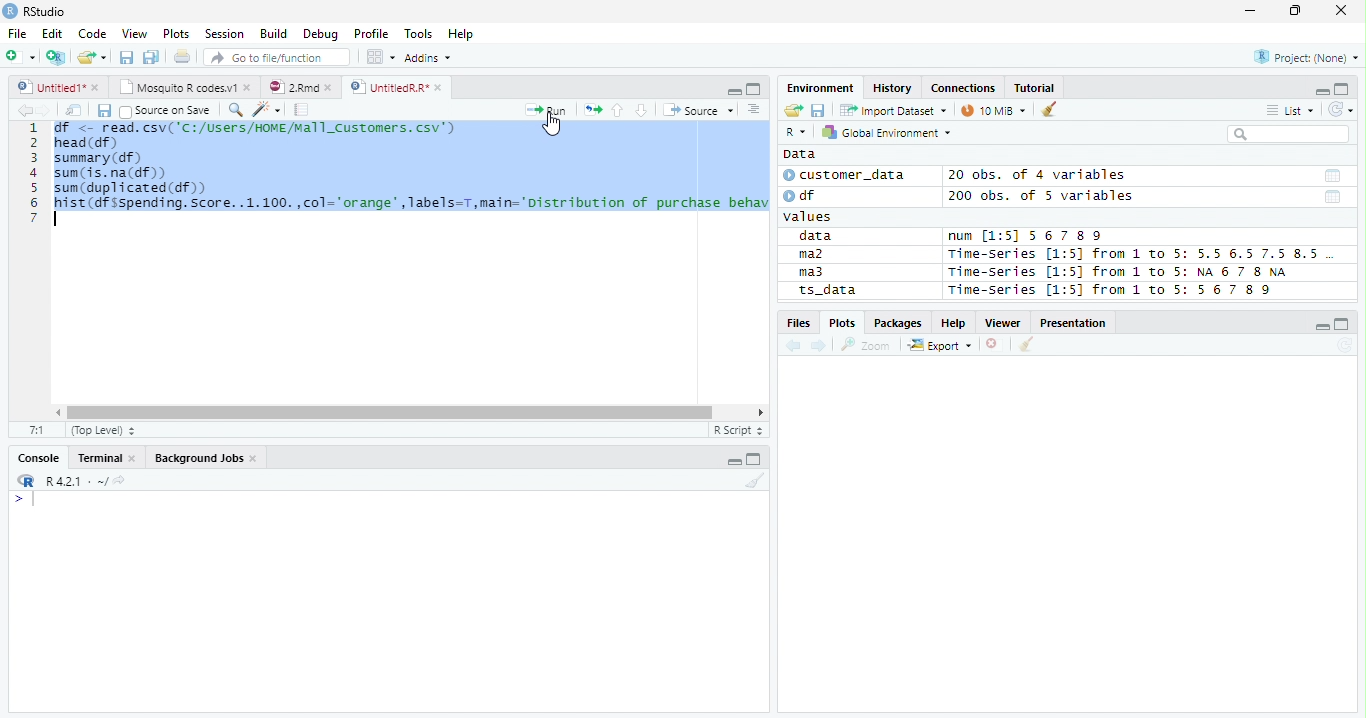 The height and width of the screenshot is (718, 1366). Describe the element at coordinates (302, 110) in the screenshot. I see `Compile Report` at that location.